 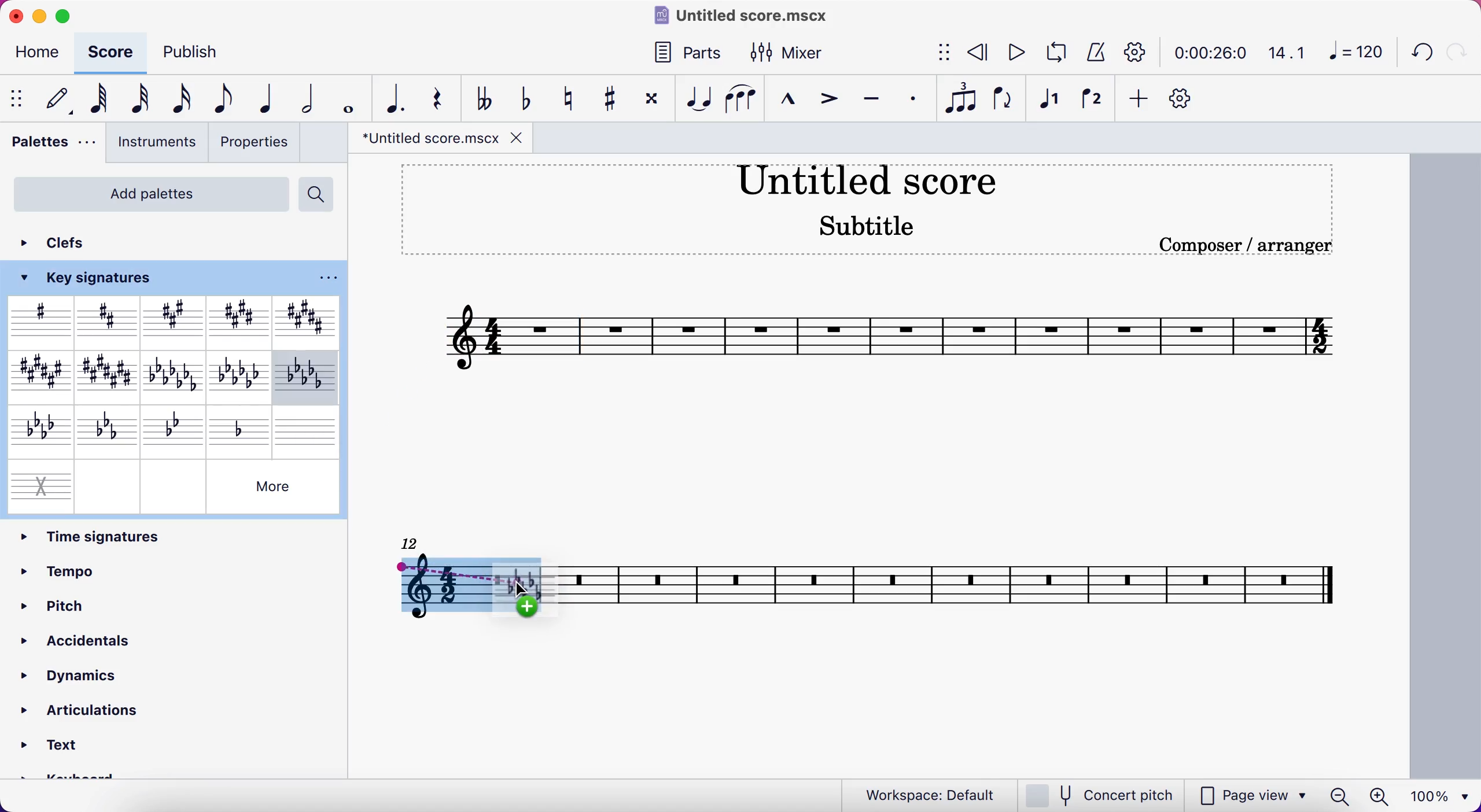 I want to click on toggle doble sharp, so click(x=651, y=99).